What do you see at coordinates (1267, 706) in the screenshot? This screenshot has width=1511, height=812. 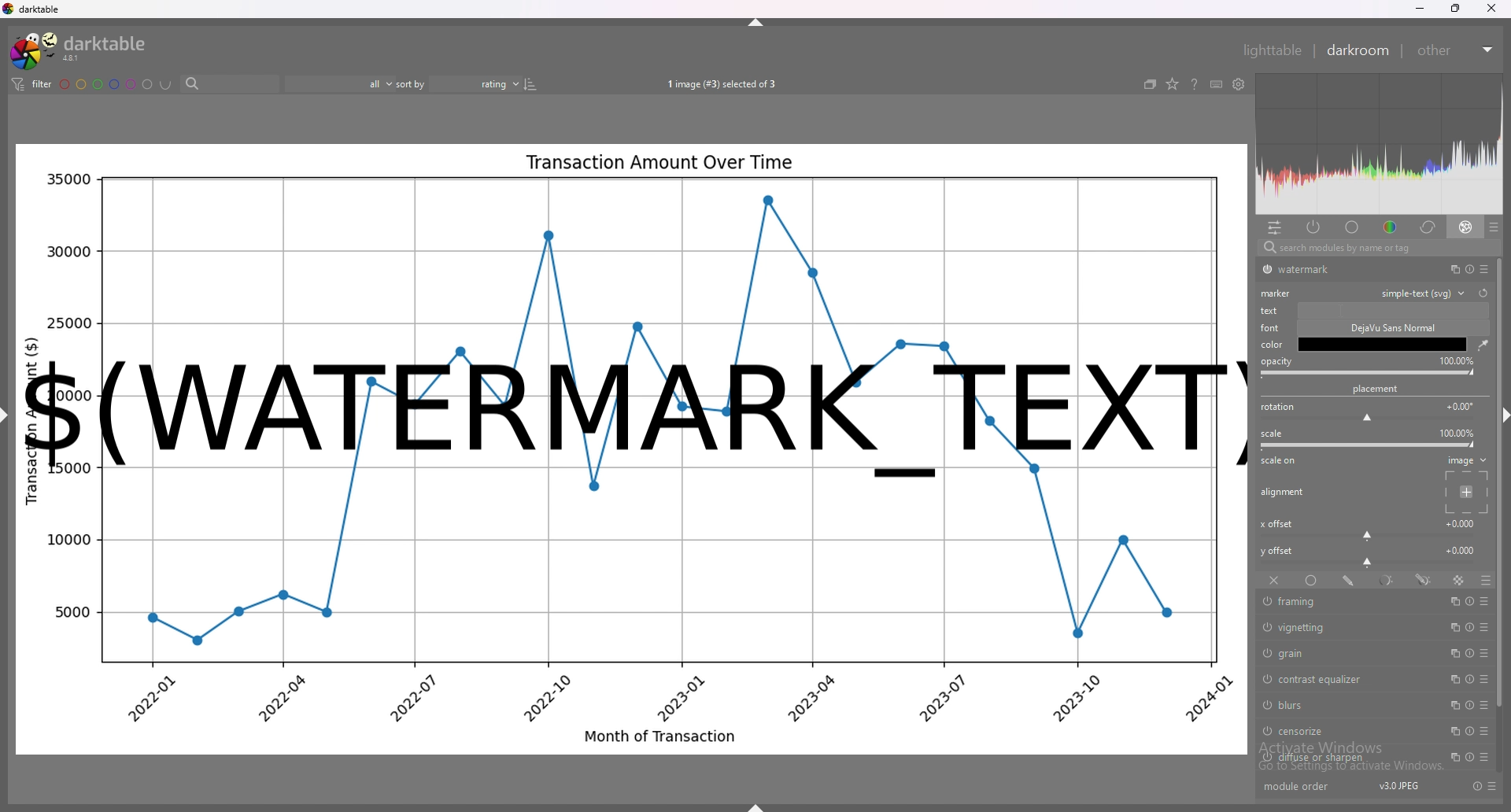 I see `switch off` at bounding box center [1267, 706].